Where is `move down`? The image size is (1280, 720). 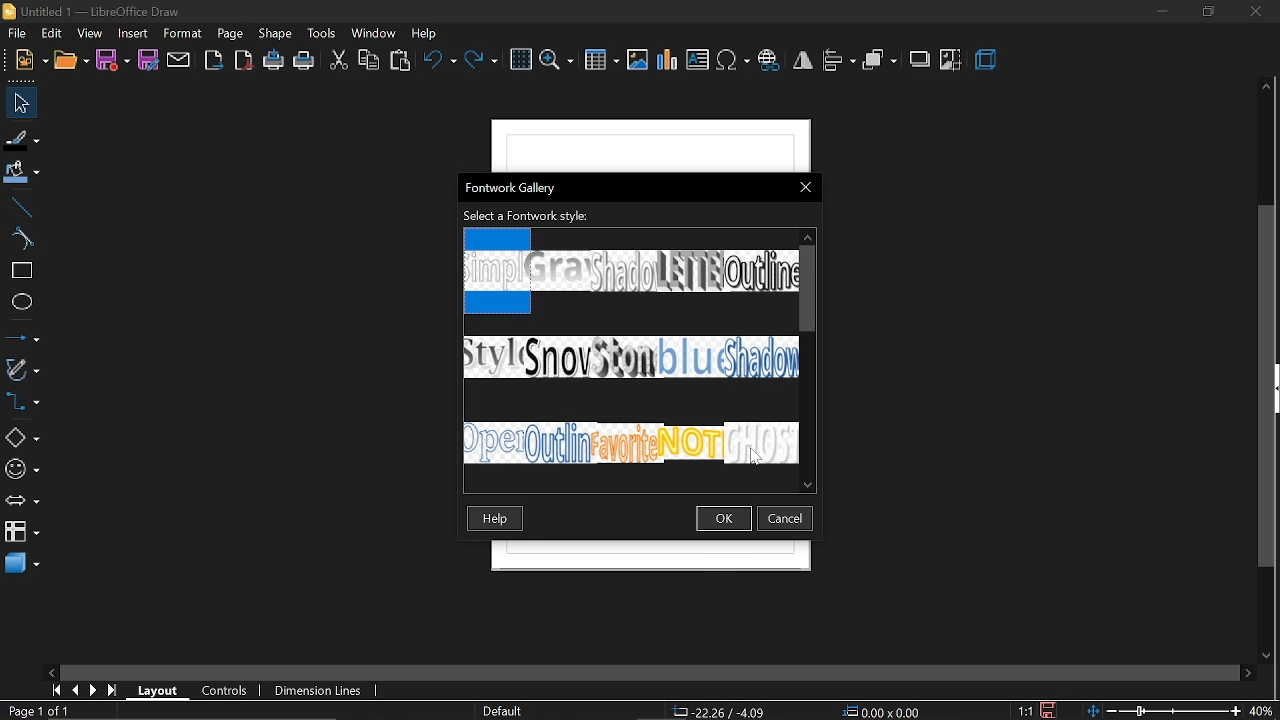
move down is located at coordinates (1266, 656).